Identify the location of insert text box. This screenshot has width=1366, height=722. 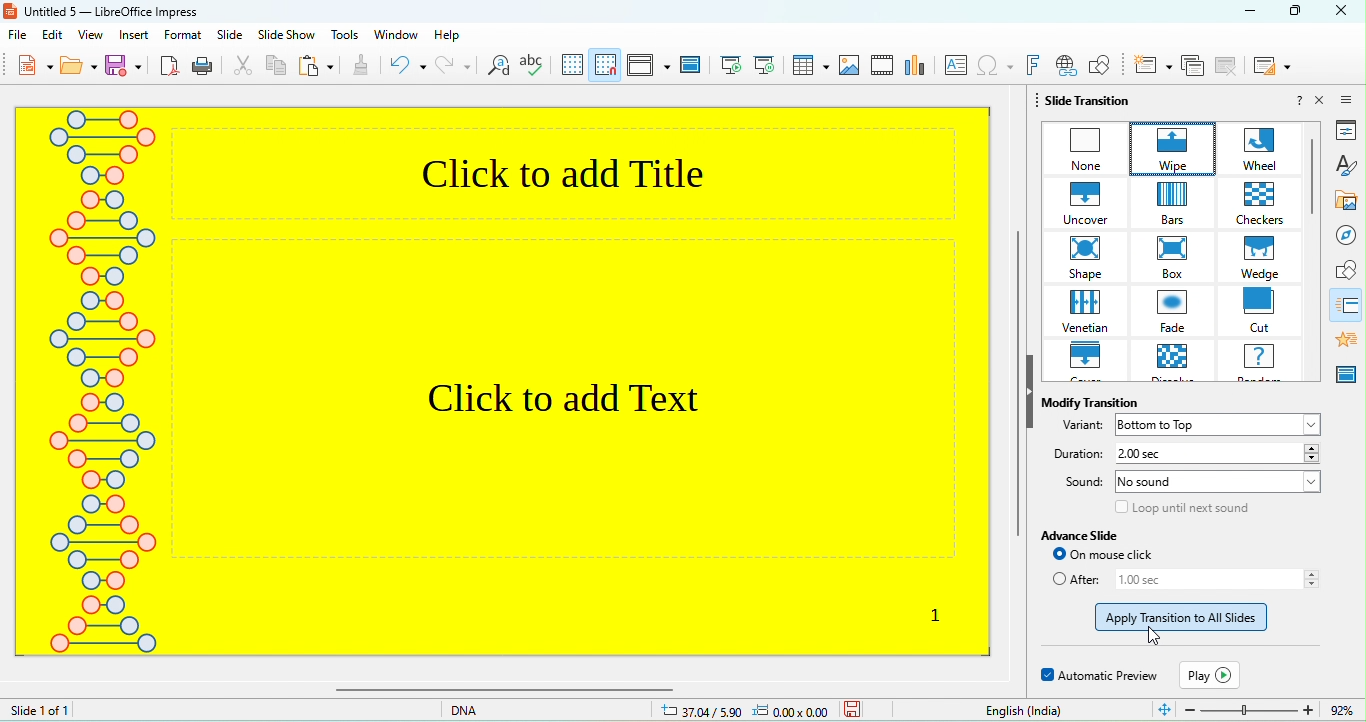
(955, 66).